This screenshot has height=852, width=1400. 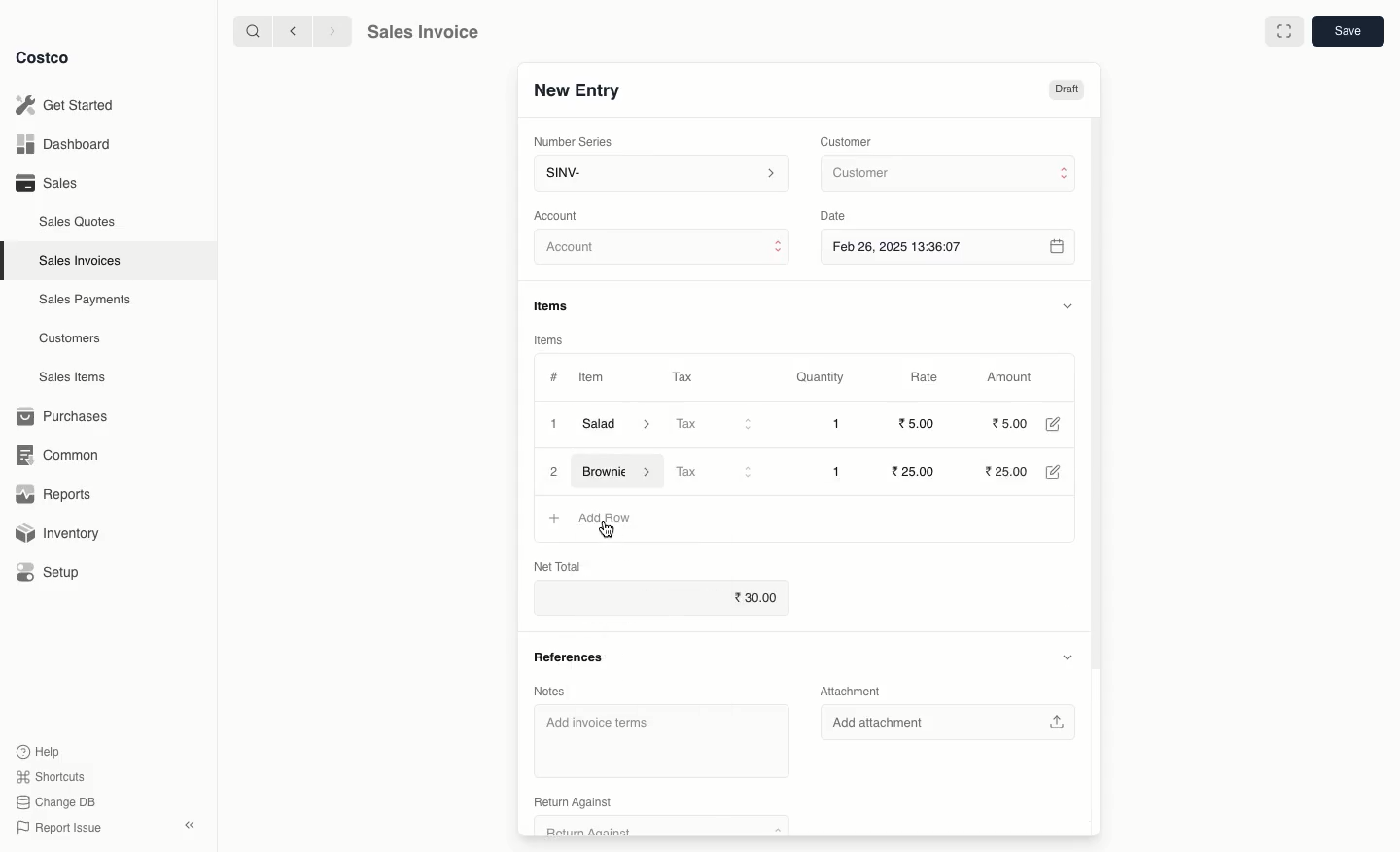 What do you see at coordinates (575, 800) in the screenshot?
I see `Return Against` at bounding box center [575, 800].